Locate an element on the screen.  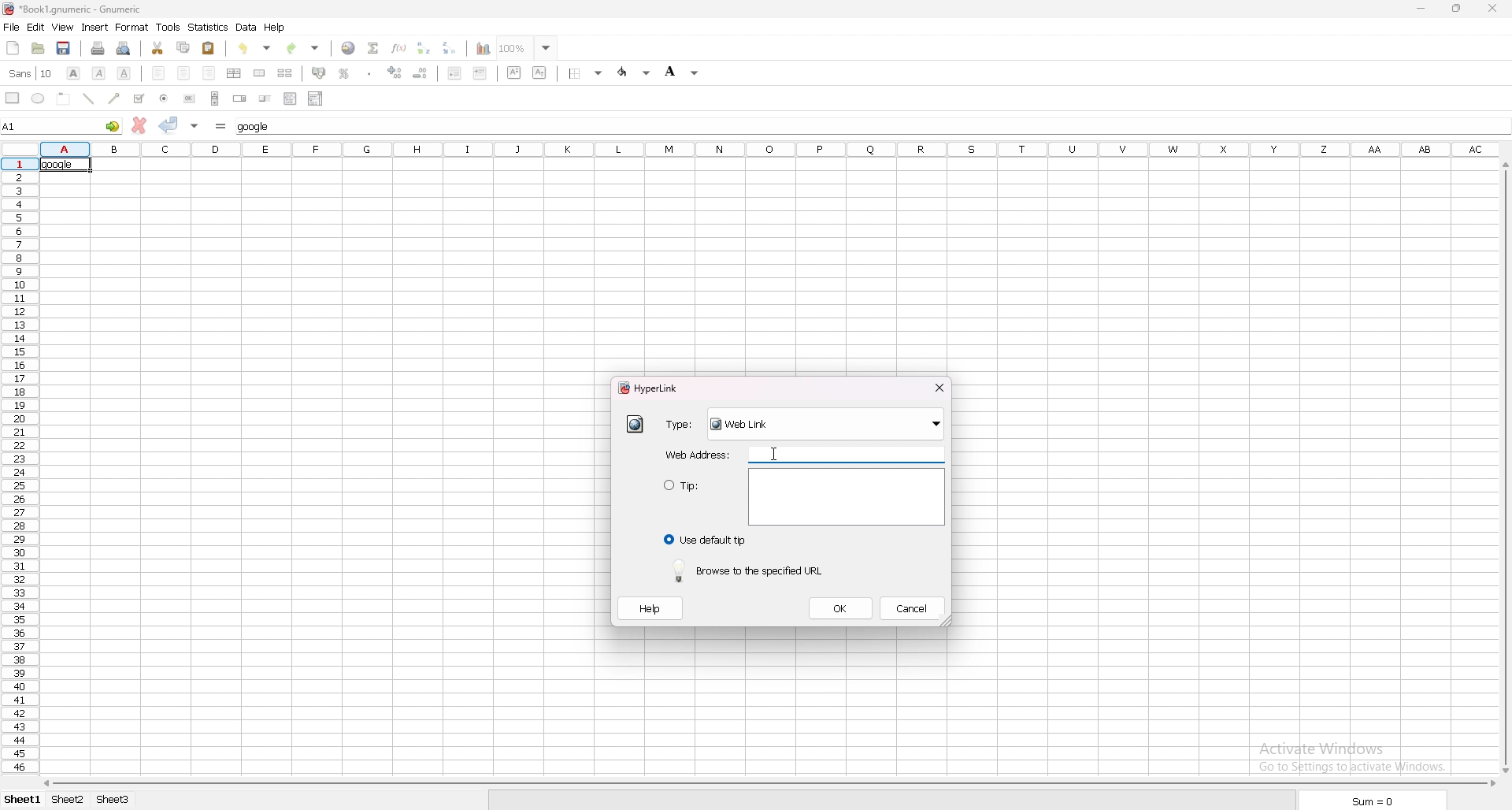
cut is located at coordinates (157, 48).